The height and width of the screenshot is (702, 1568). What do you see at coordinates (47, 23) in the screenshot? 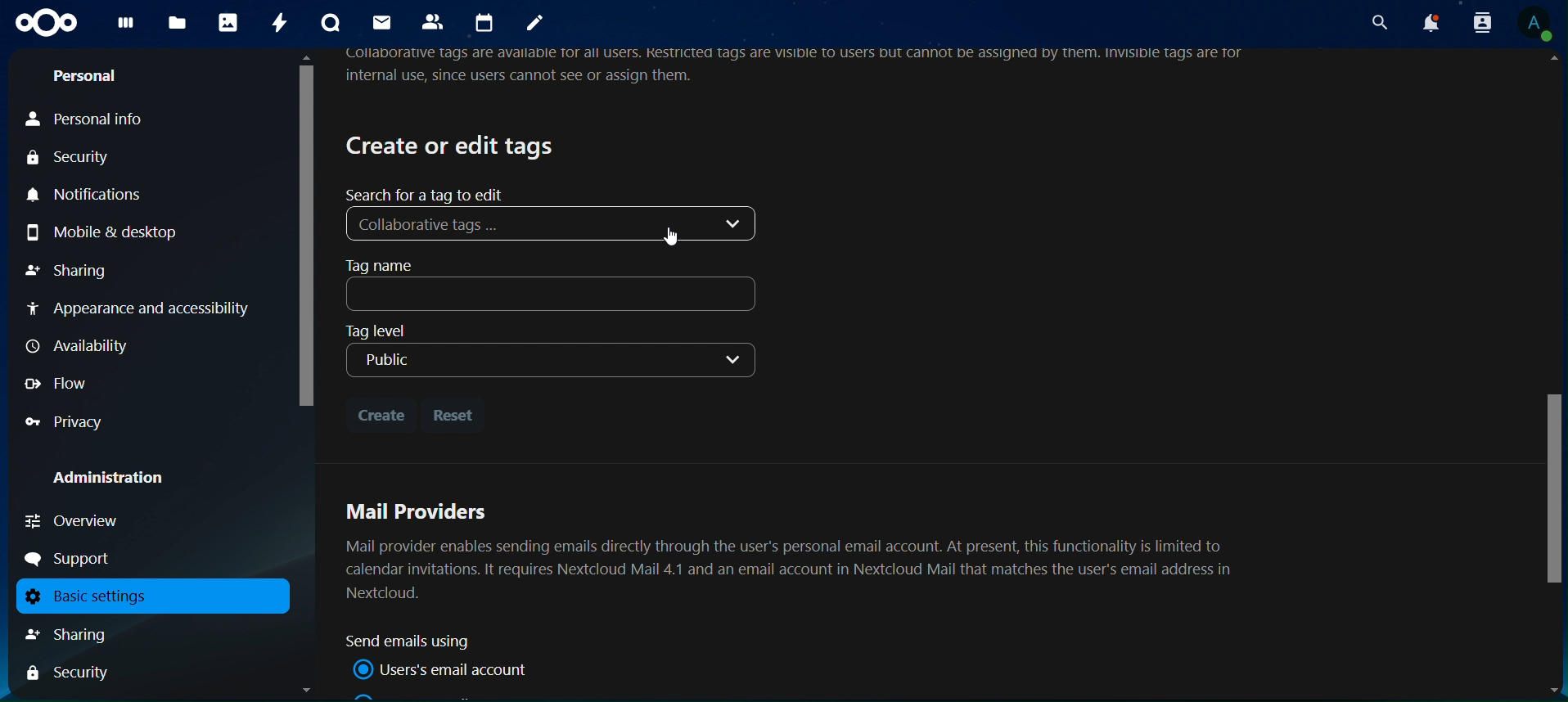
I see `icon` at bounding box center [47, 23].